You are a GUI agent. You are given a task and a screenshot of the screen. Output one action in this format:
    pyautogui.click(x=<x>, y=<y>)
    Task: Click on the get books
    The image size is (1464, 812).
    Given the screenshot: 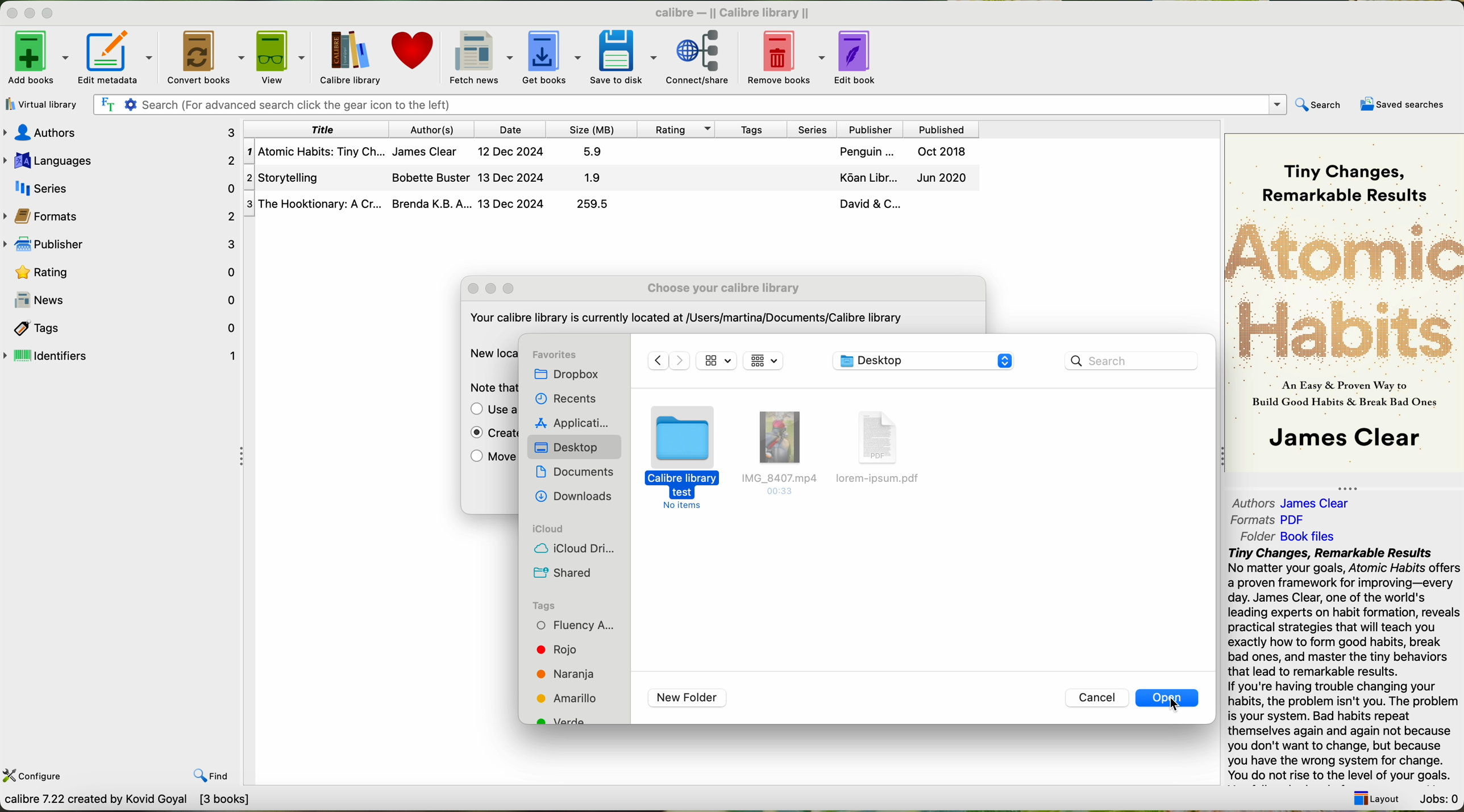 What is the action you would take?
    pyautogui.click(x=551, y=56)
    